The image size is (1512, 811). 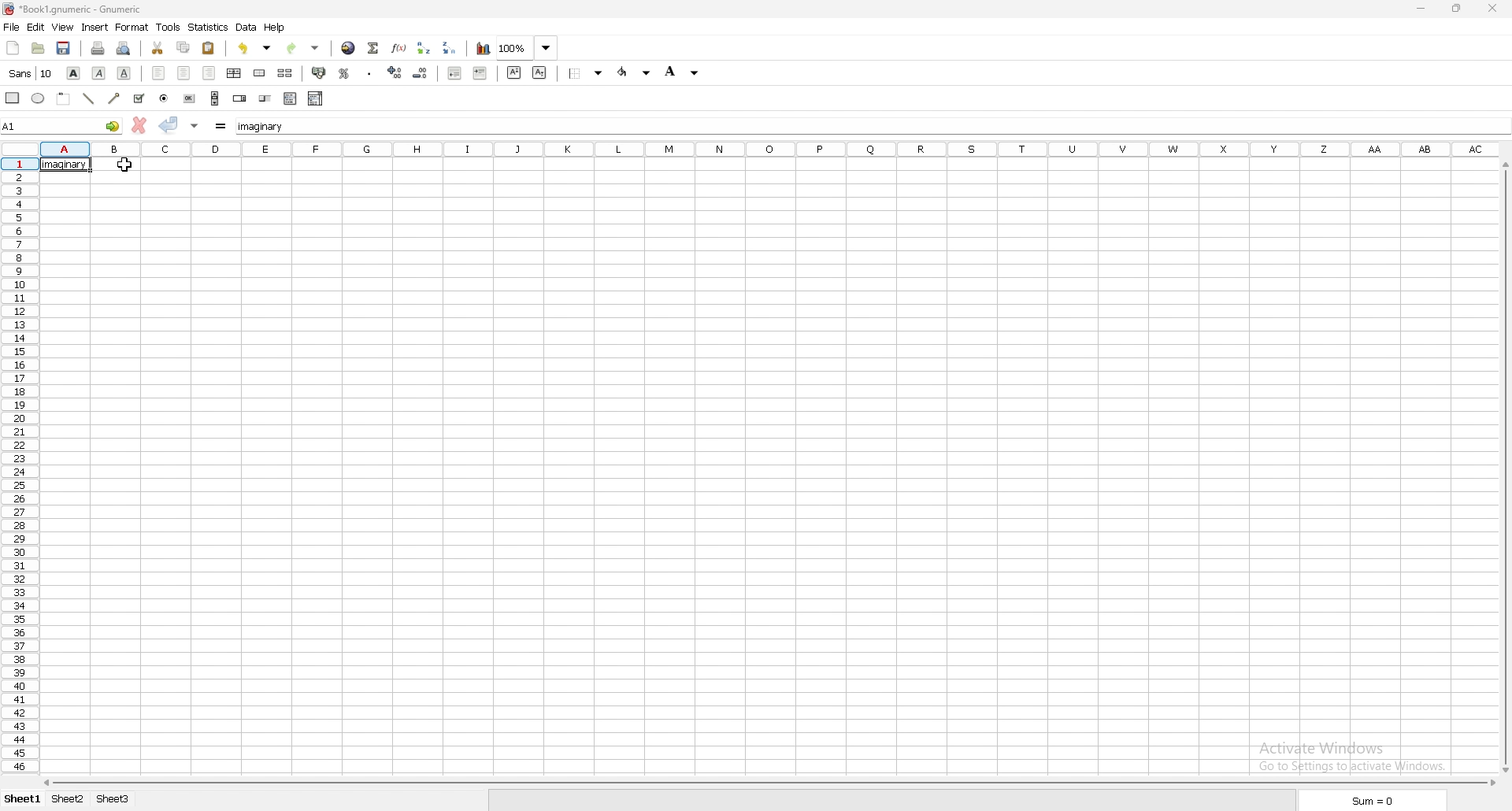 What do you see at coordinates (36, 27) in the screenshot?
I see `edit` at bounding box center [36, 27].